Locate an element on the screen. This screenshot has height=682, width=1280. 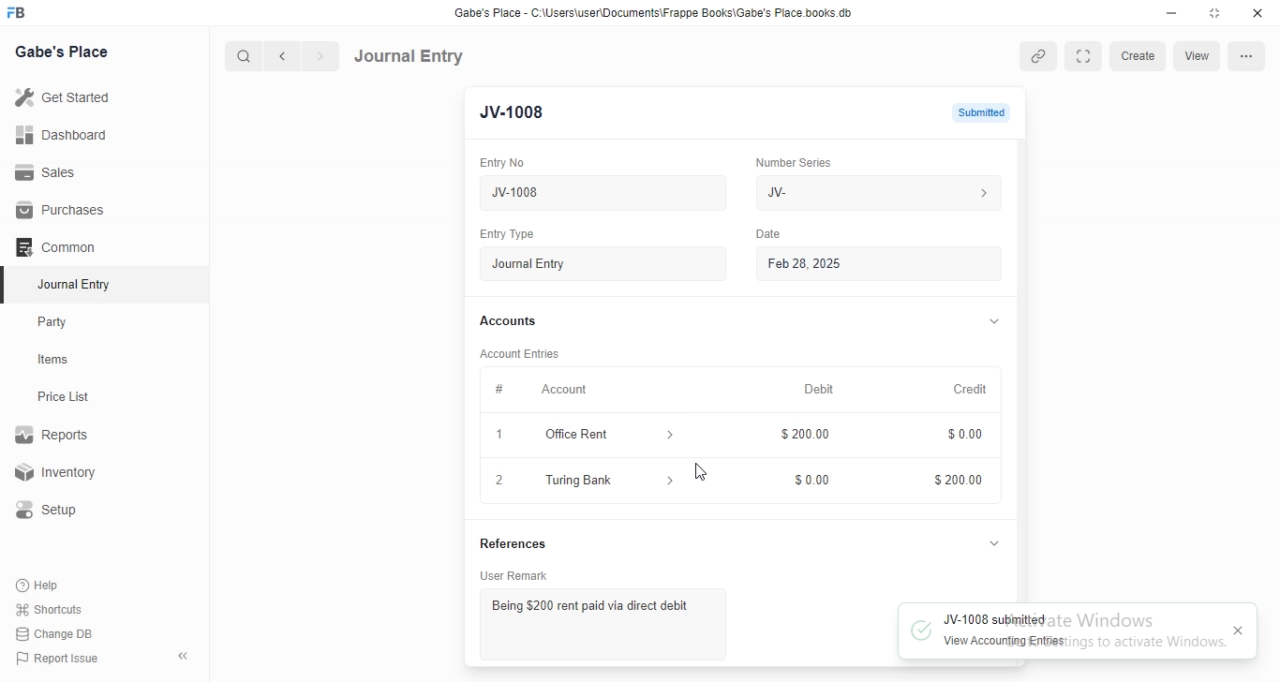
Feb 28,2025  is located at coordinates (875, 265).